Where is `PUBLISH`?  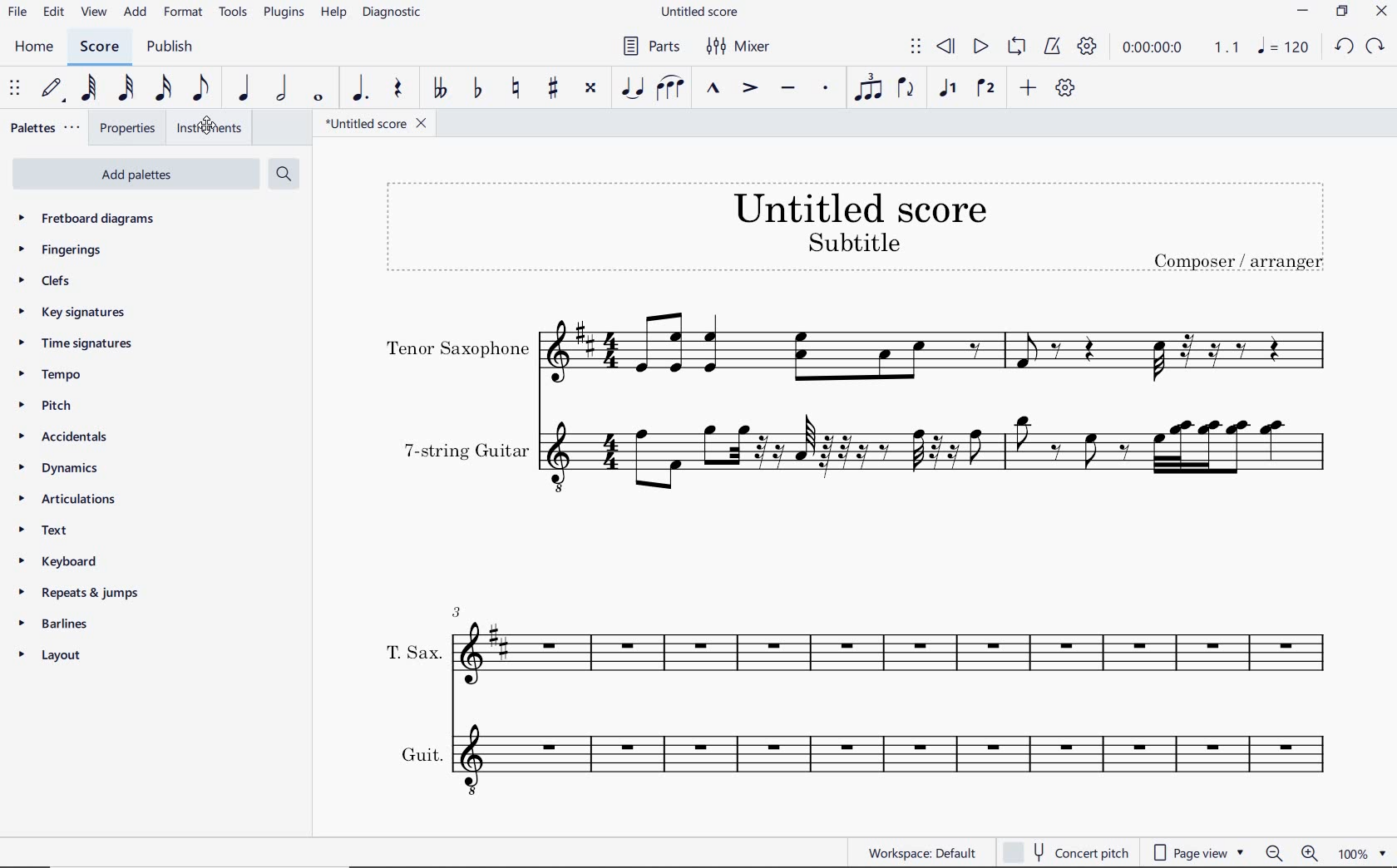 PUBLISH is located at coordinates (167, 47).